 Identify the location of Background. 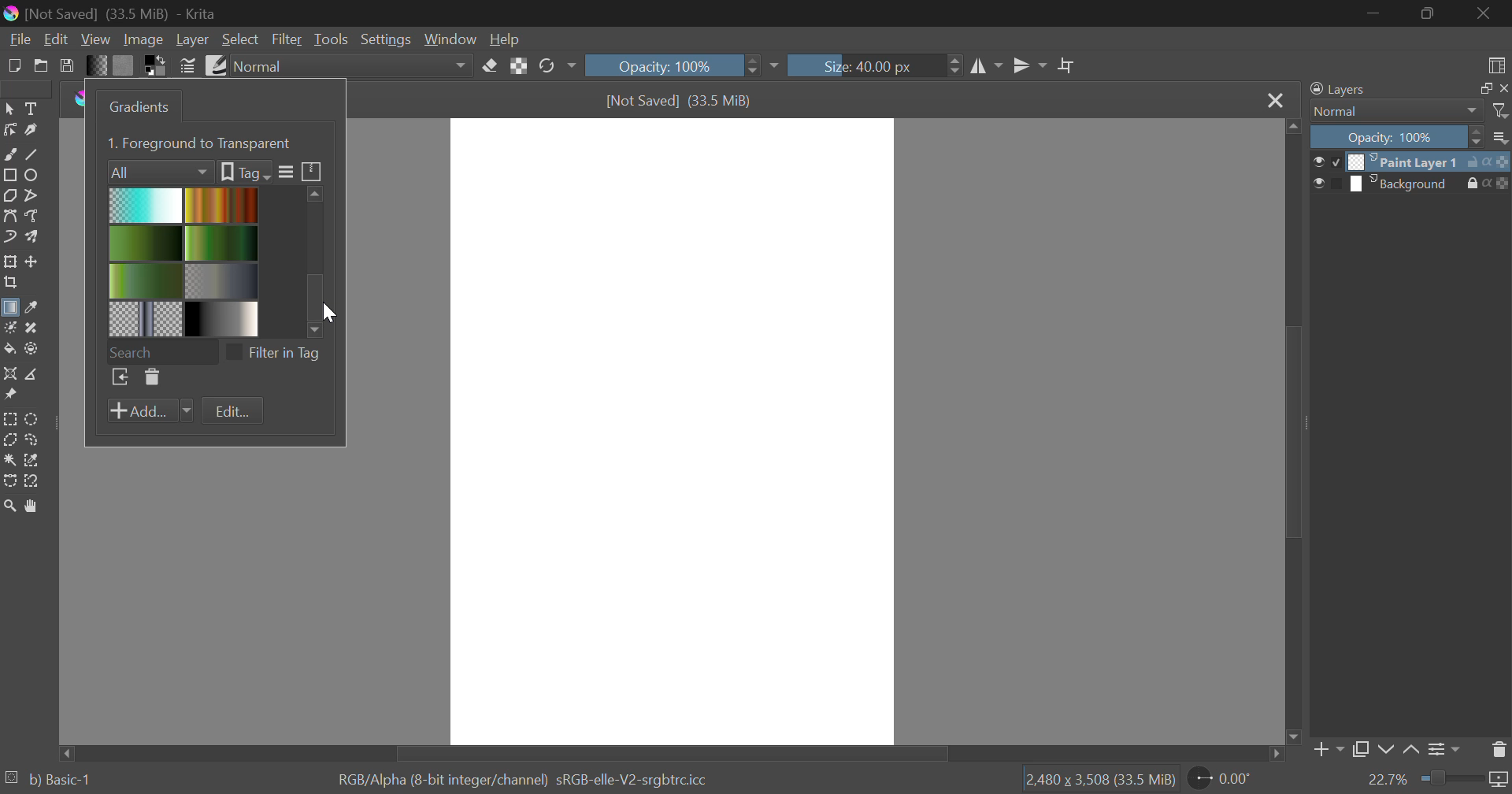
(1404, 184).